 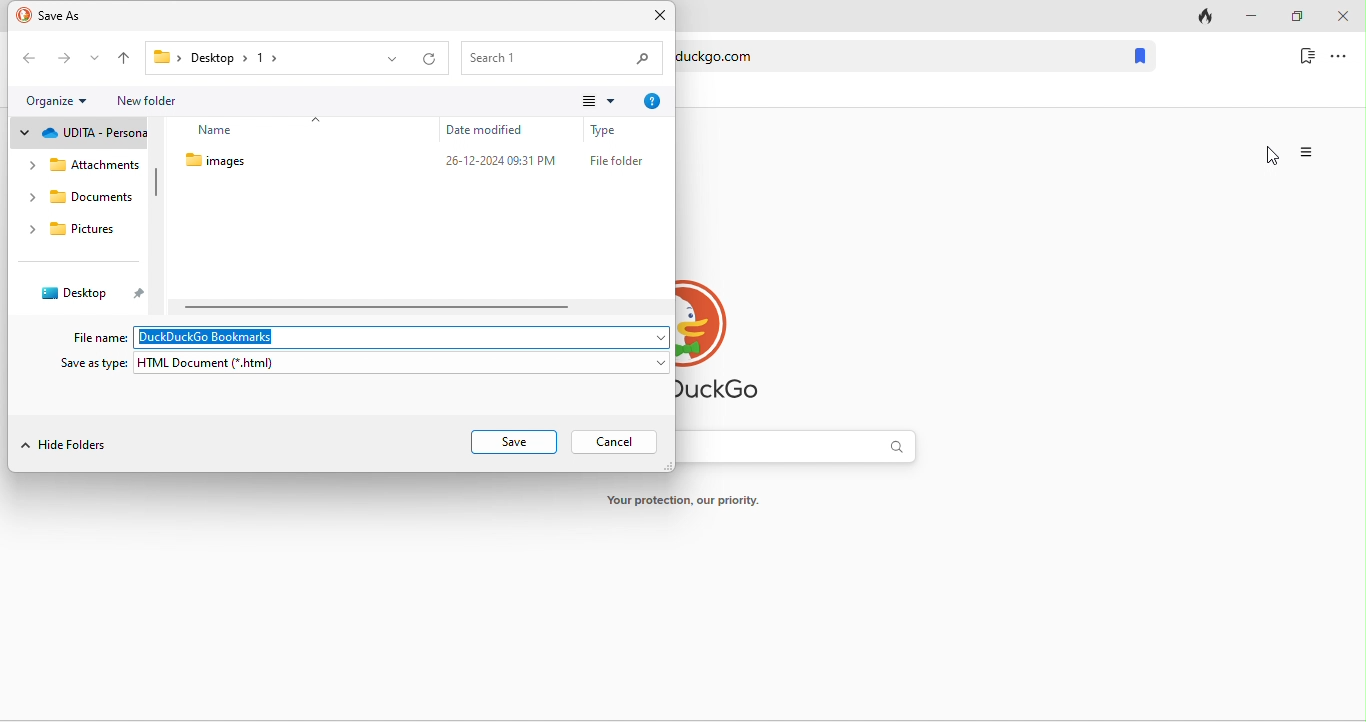 What do you see at coordinates (1252, 14) in the screenshot?
I see `minimize` at bounding box center [1252, 14].